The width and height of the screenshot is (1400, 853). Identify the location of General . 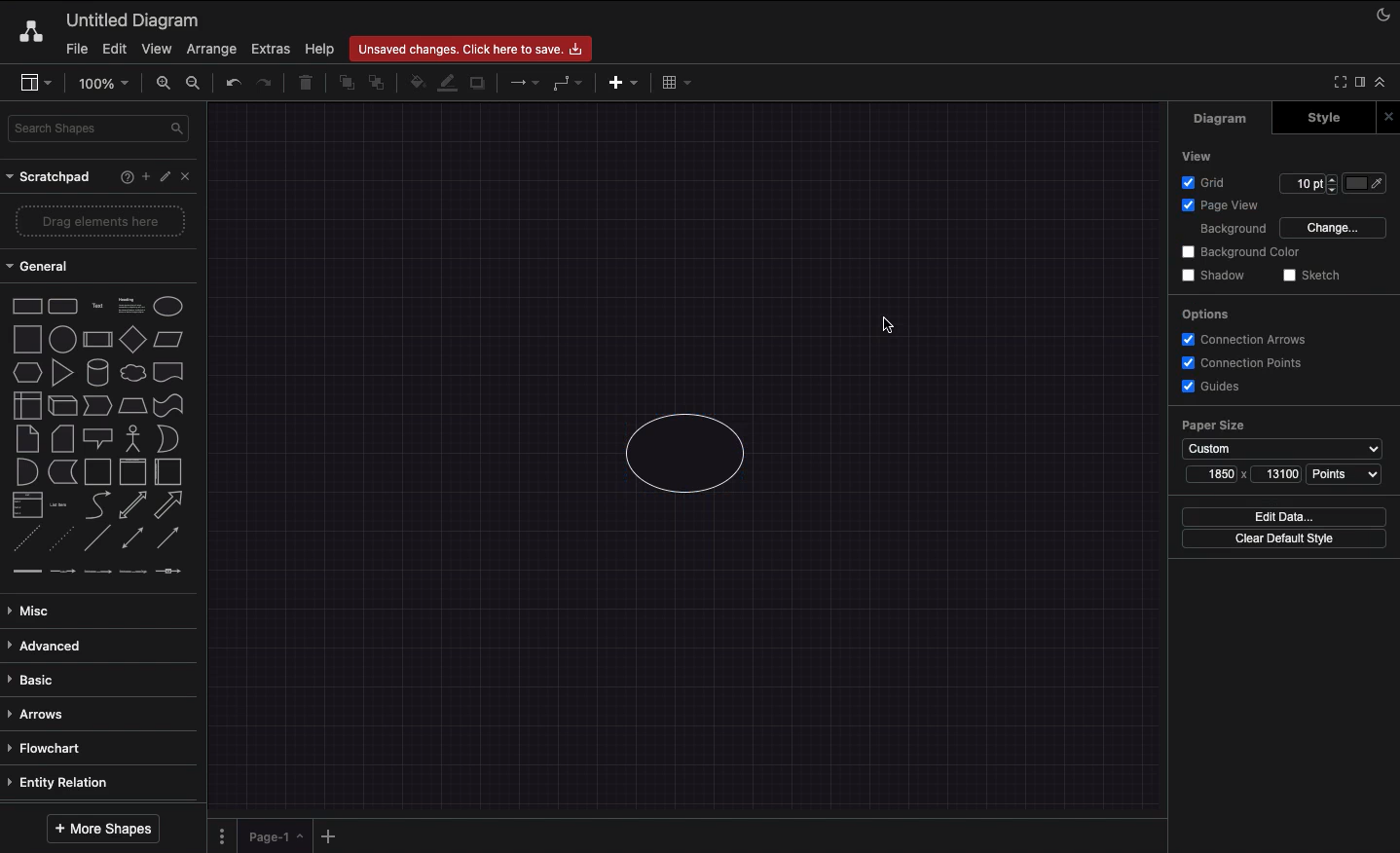
(49, 267).